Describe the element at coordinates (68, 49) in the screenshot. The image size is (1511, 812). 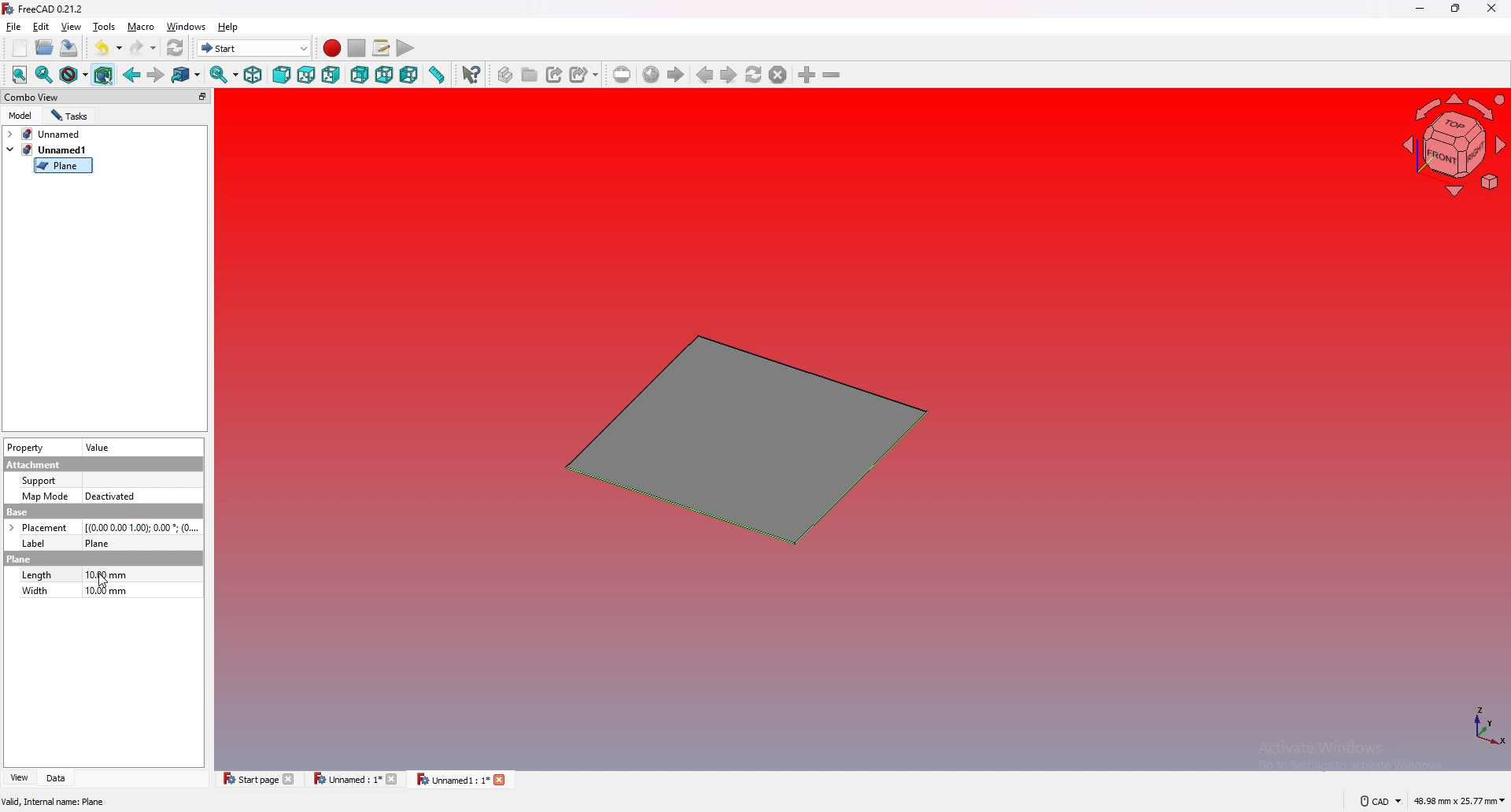
I see `save` at that location.